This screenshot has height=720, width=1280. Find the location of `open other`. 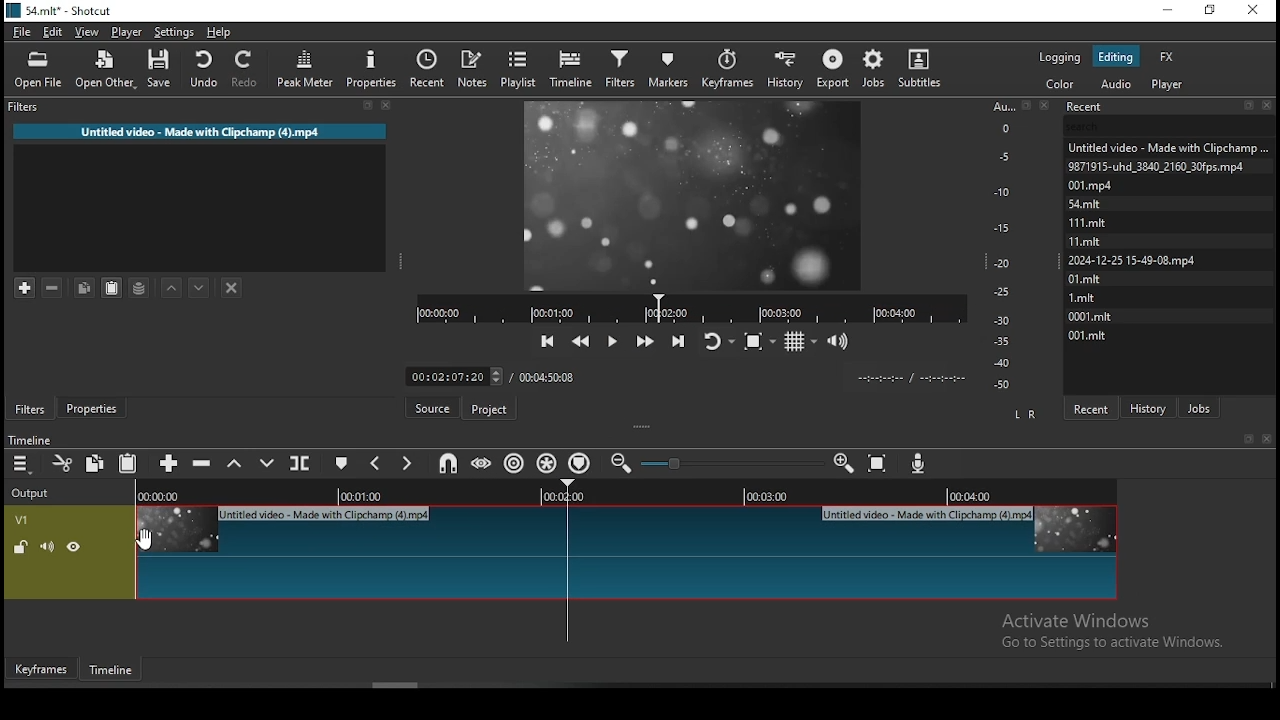

open other is located at coordinates (106, 72).